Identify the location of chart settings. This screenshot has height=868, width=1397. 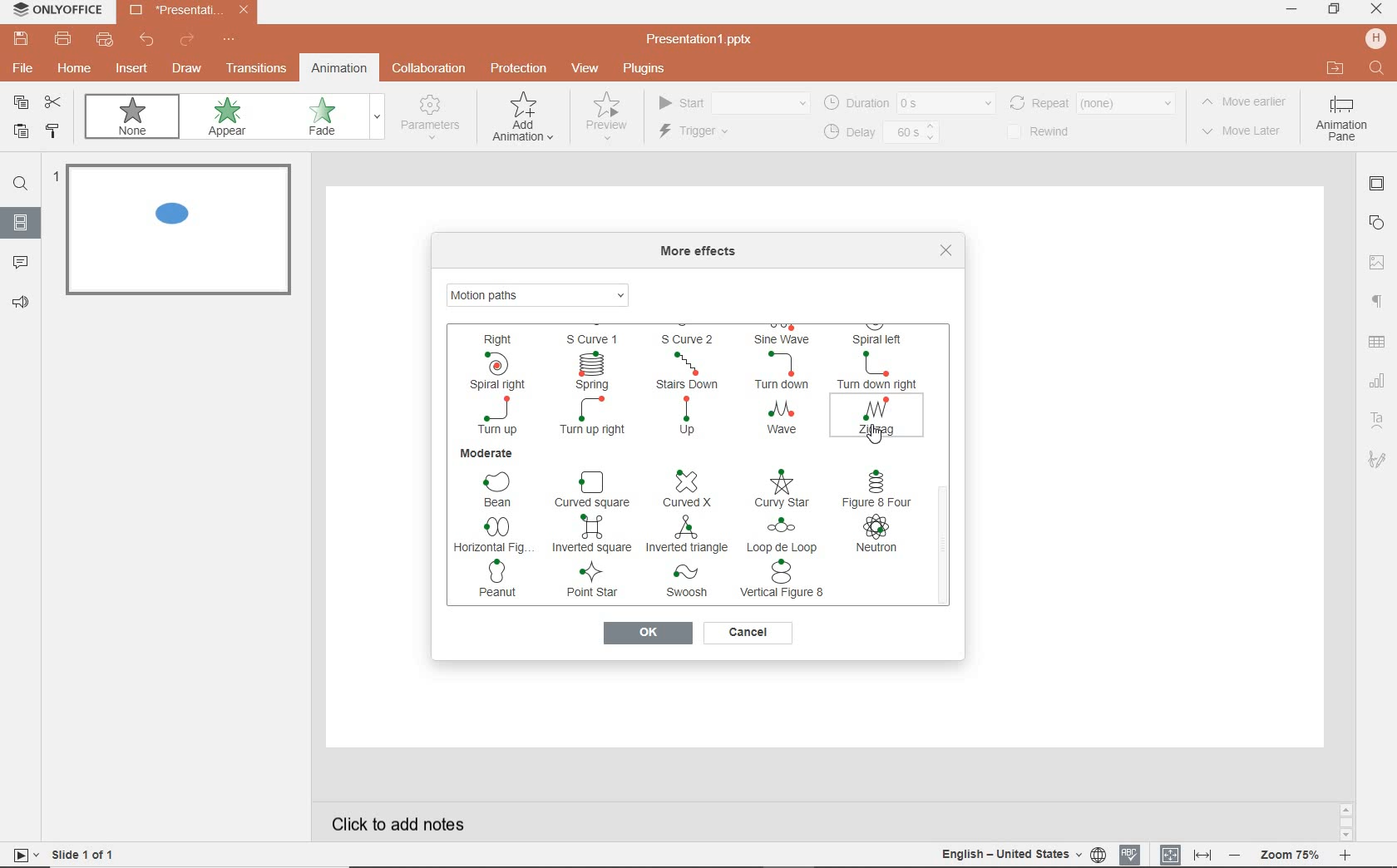
(1377, 382).